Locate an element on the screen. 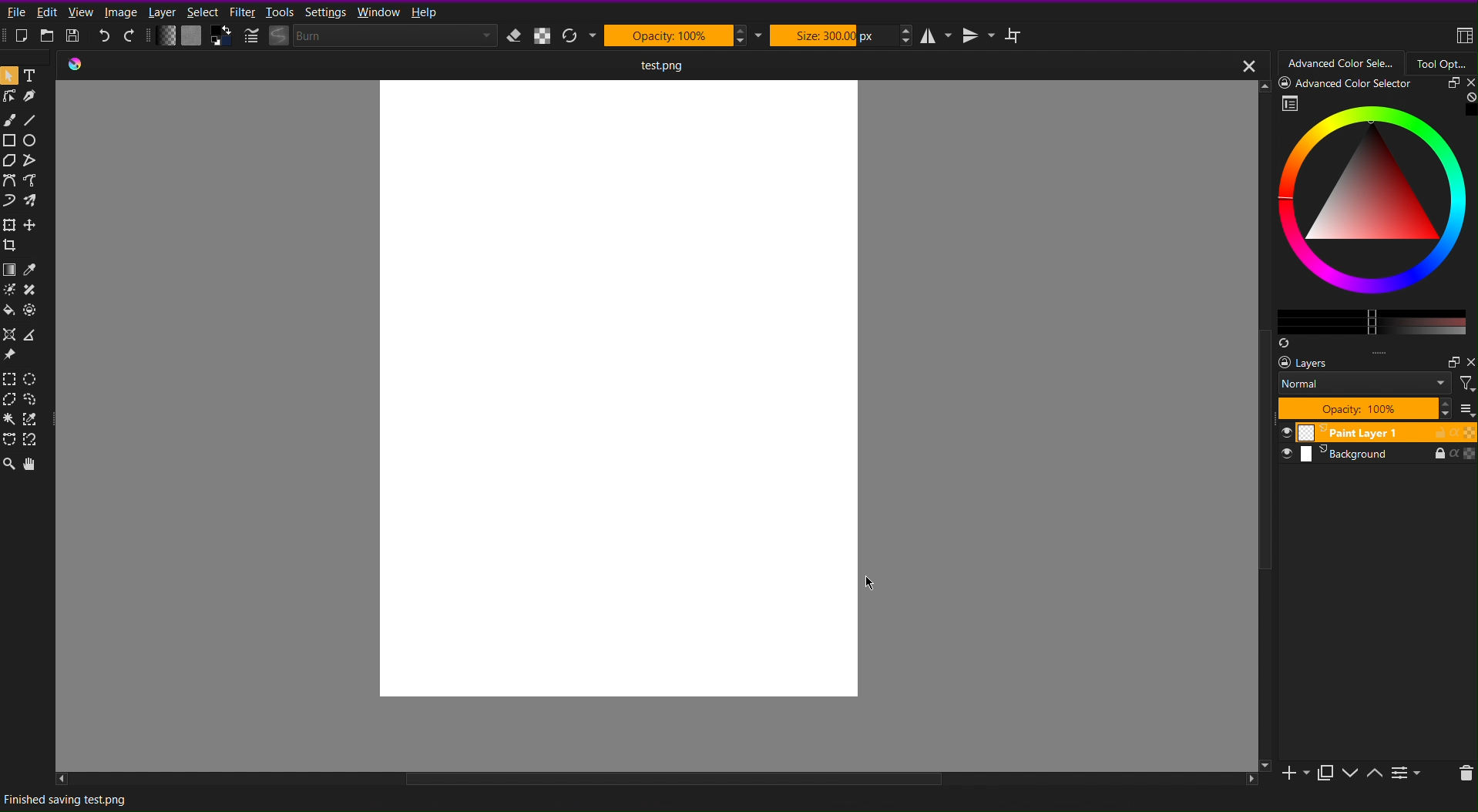 The width and height of the screenshot is (1478, 812). Help is located at coordinates (424, 12).